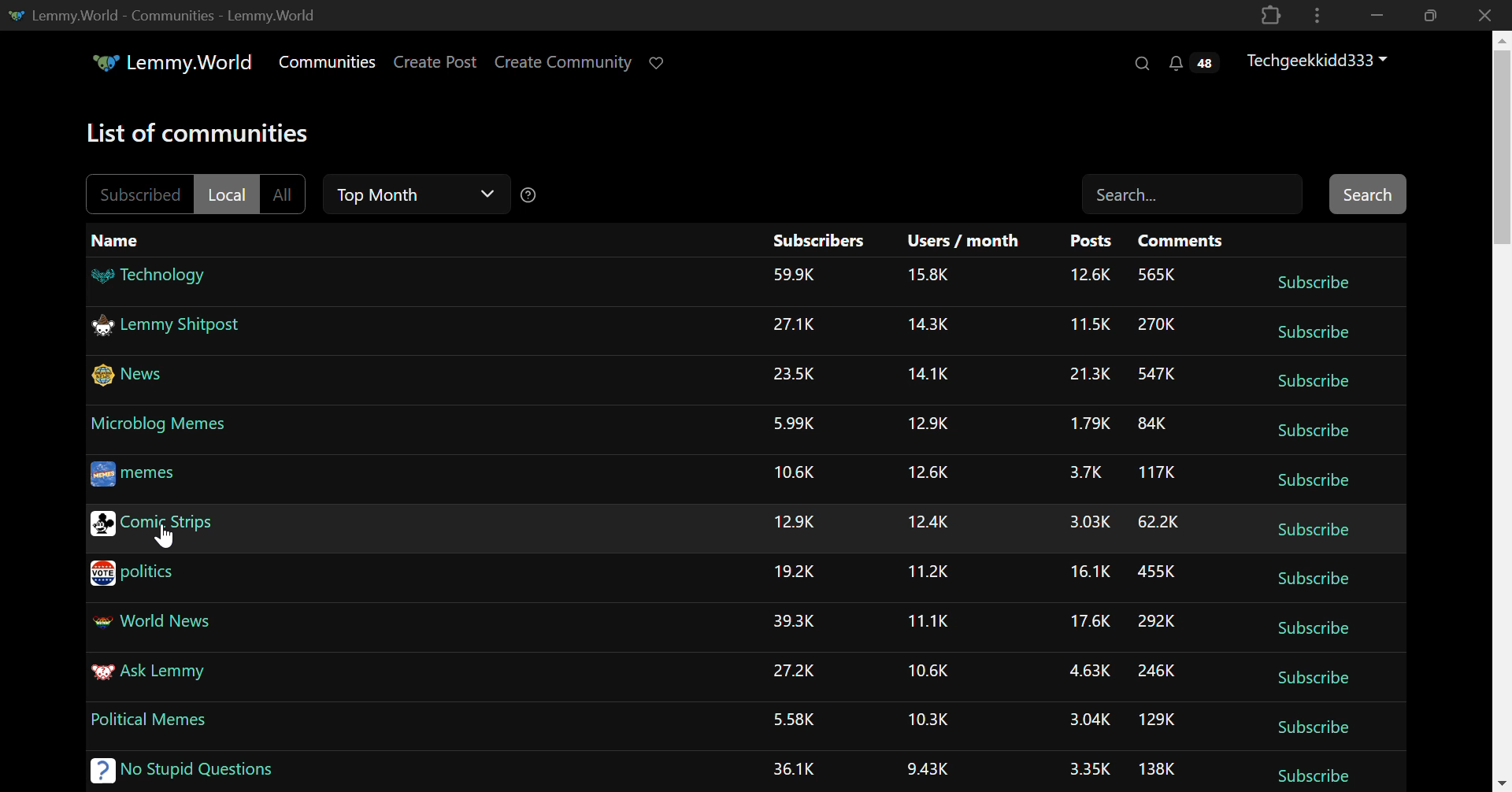 Image resolution: width=1512 pixels, height=792 pixels. What do you see at coordinates (1156, 620) in the screenshot?
I see `292K` at bounding box center [1156, 620].